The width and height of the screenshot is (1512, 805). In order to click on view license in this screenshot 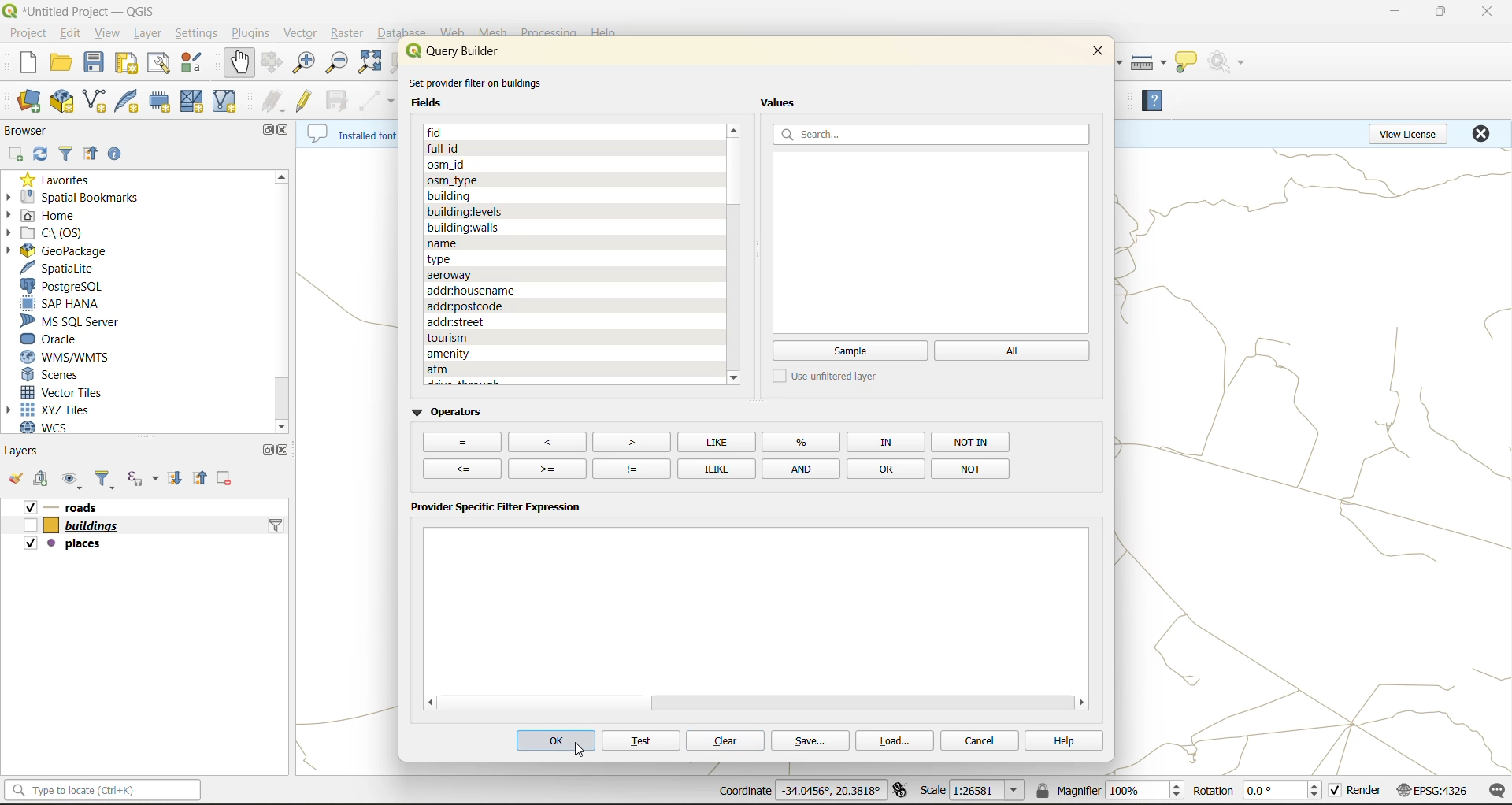, I will do `click(1406, 136)`.